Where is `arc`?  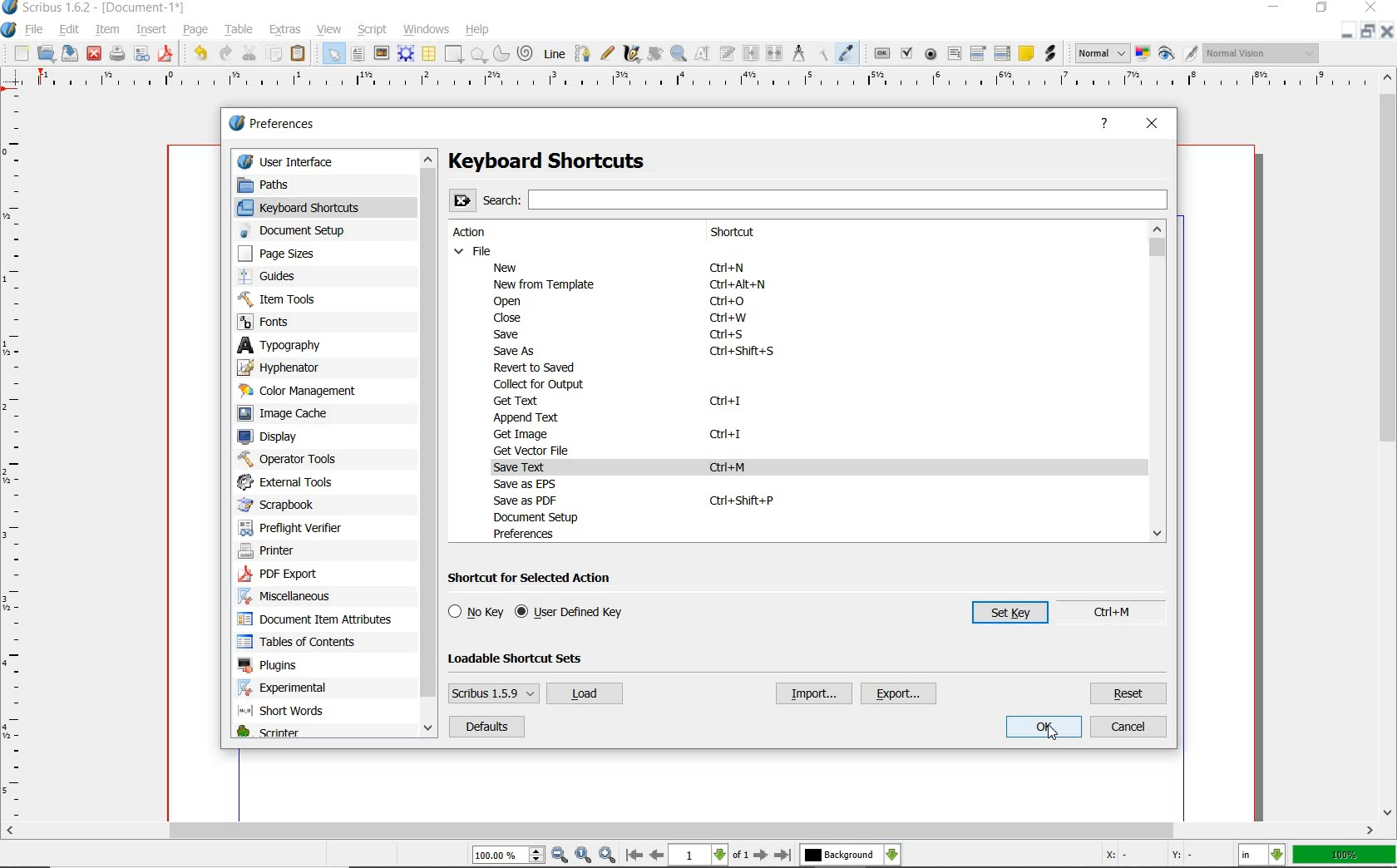 arc is located at coordinates (500, 55).